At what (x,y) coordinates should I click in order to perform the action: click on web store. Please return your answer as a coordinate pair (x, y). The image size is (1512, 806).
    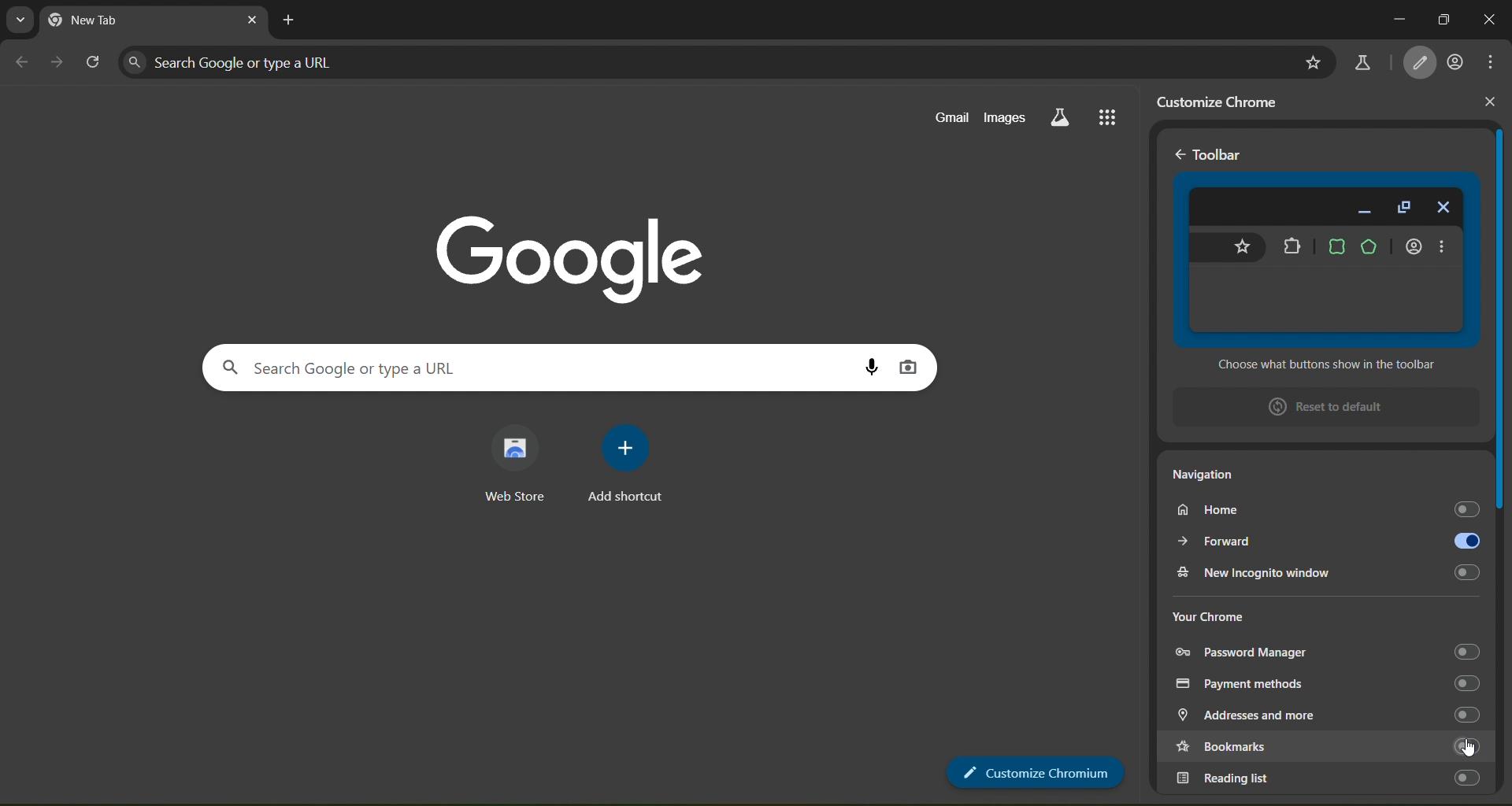
    Looking at the image, I should click on (516, 462).